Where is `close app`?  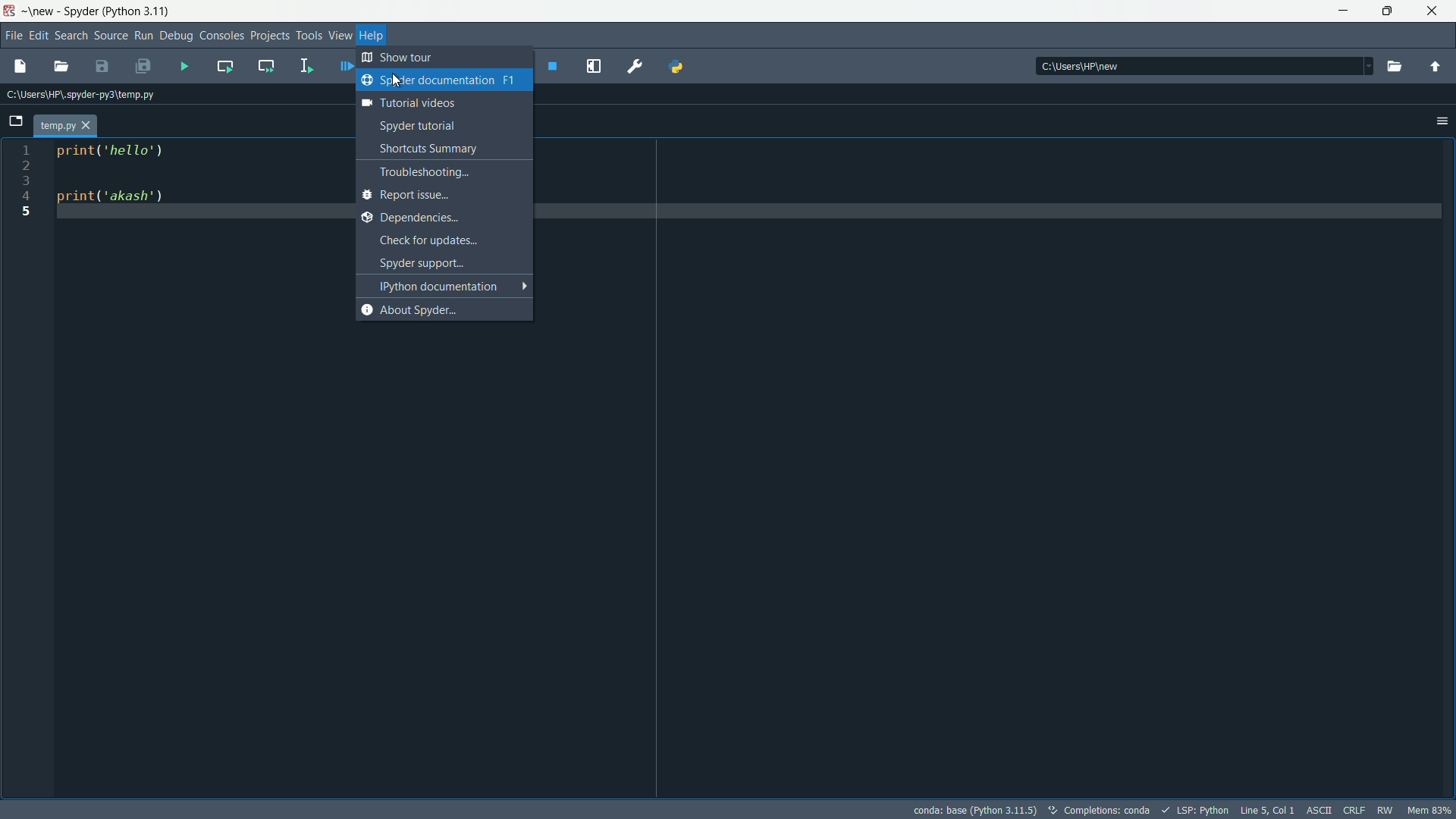 close app is located at coordinates (1433, 11).